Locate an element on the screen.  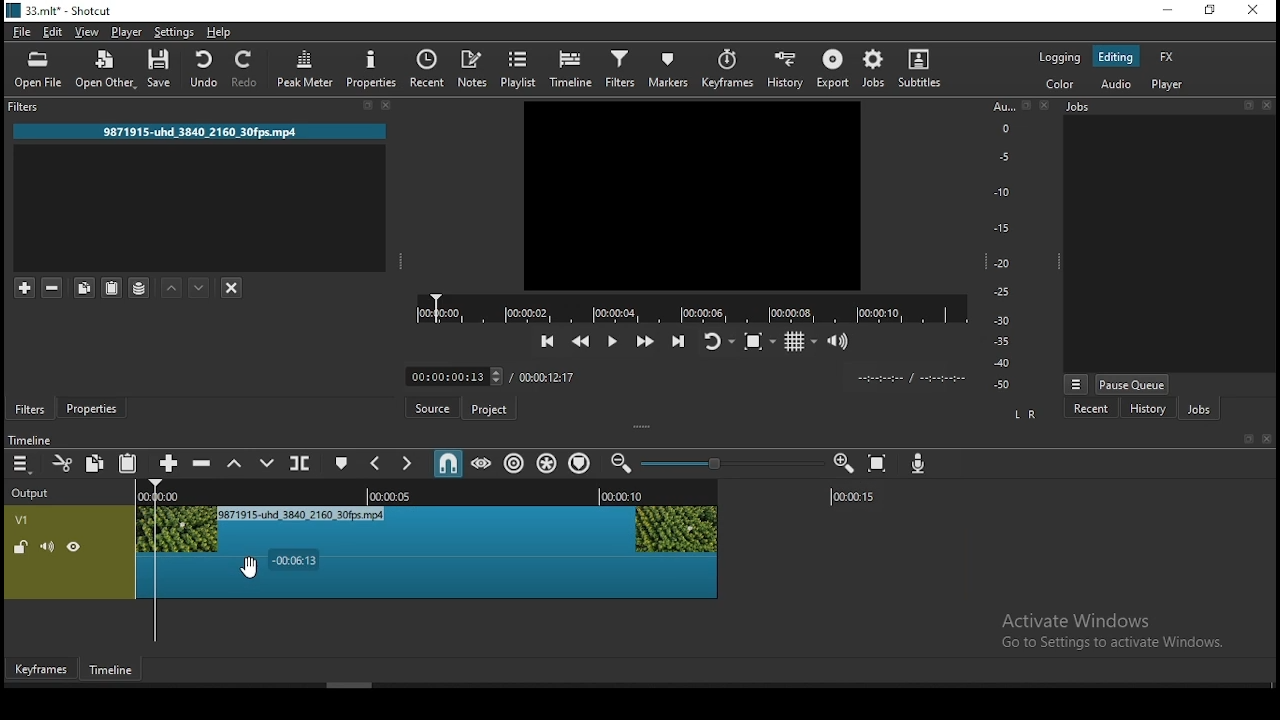
bookmark is located at coordinates (1245, 439).